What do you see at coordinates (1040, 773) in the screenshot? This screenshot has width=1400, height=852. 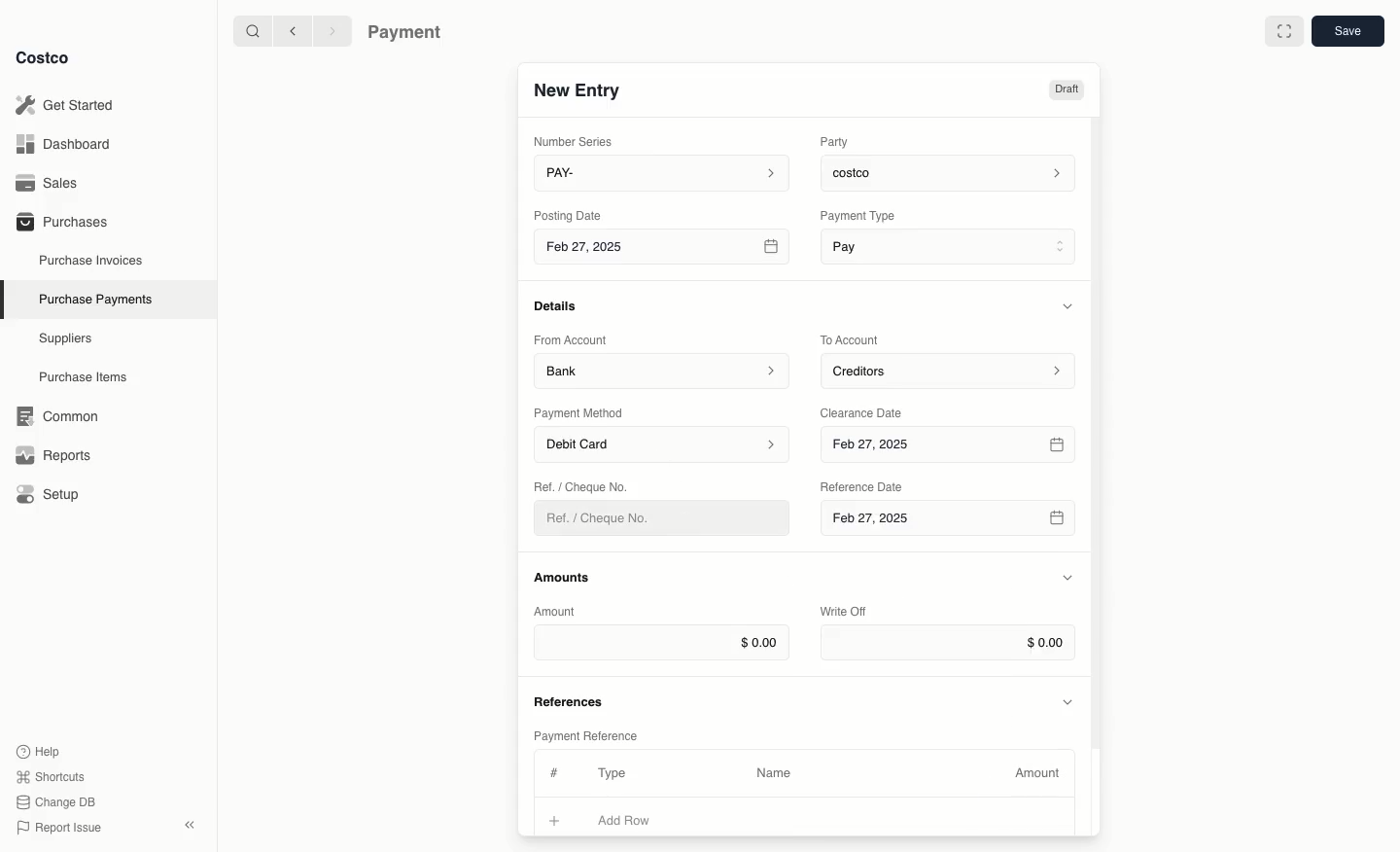 I see `Amount` at bounding box center [1040, 773].